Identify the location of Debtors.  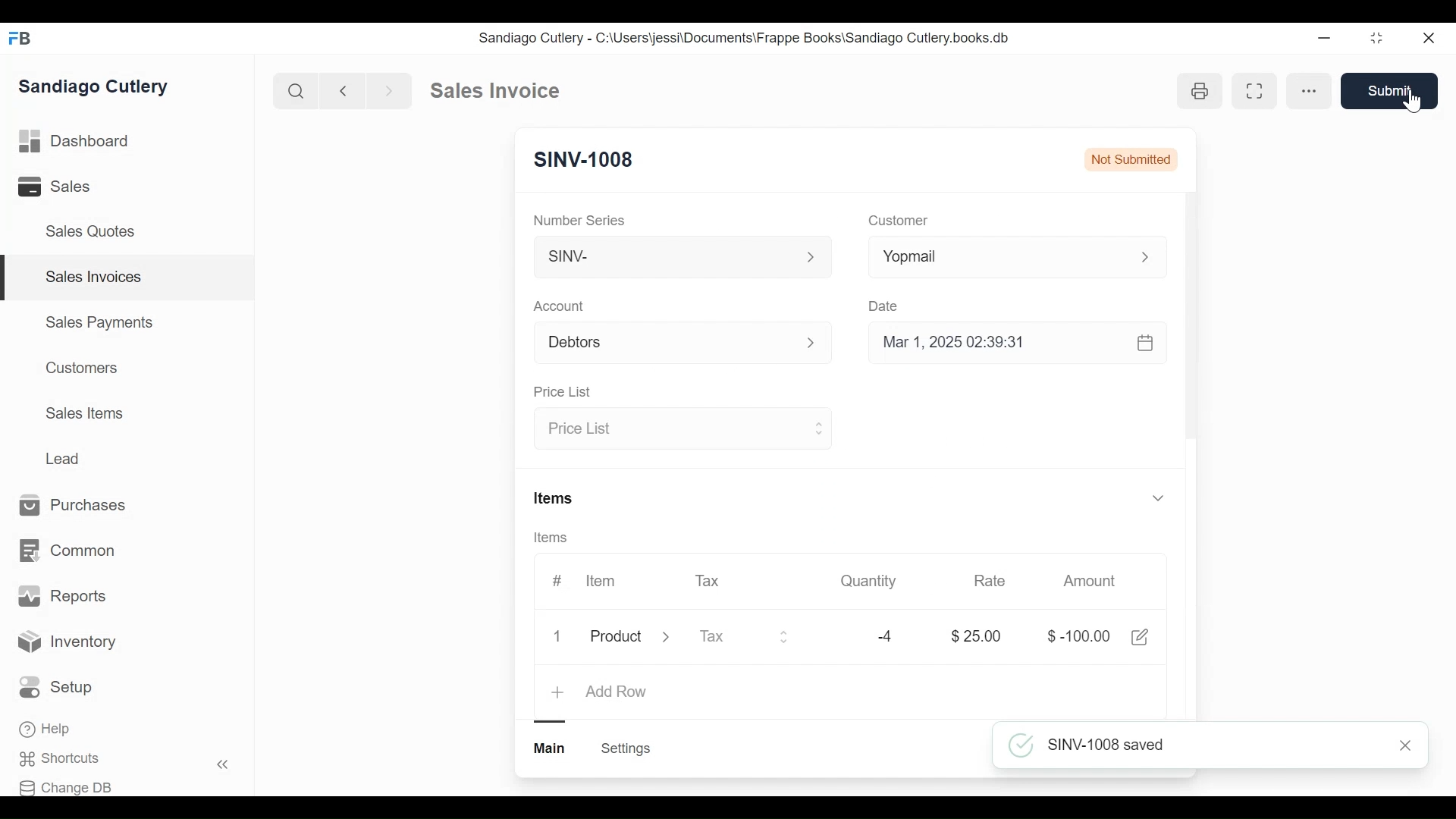
(673, 341).